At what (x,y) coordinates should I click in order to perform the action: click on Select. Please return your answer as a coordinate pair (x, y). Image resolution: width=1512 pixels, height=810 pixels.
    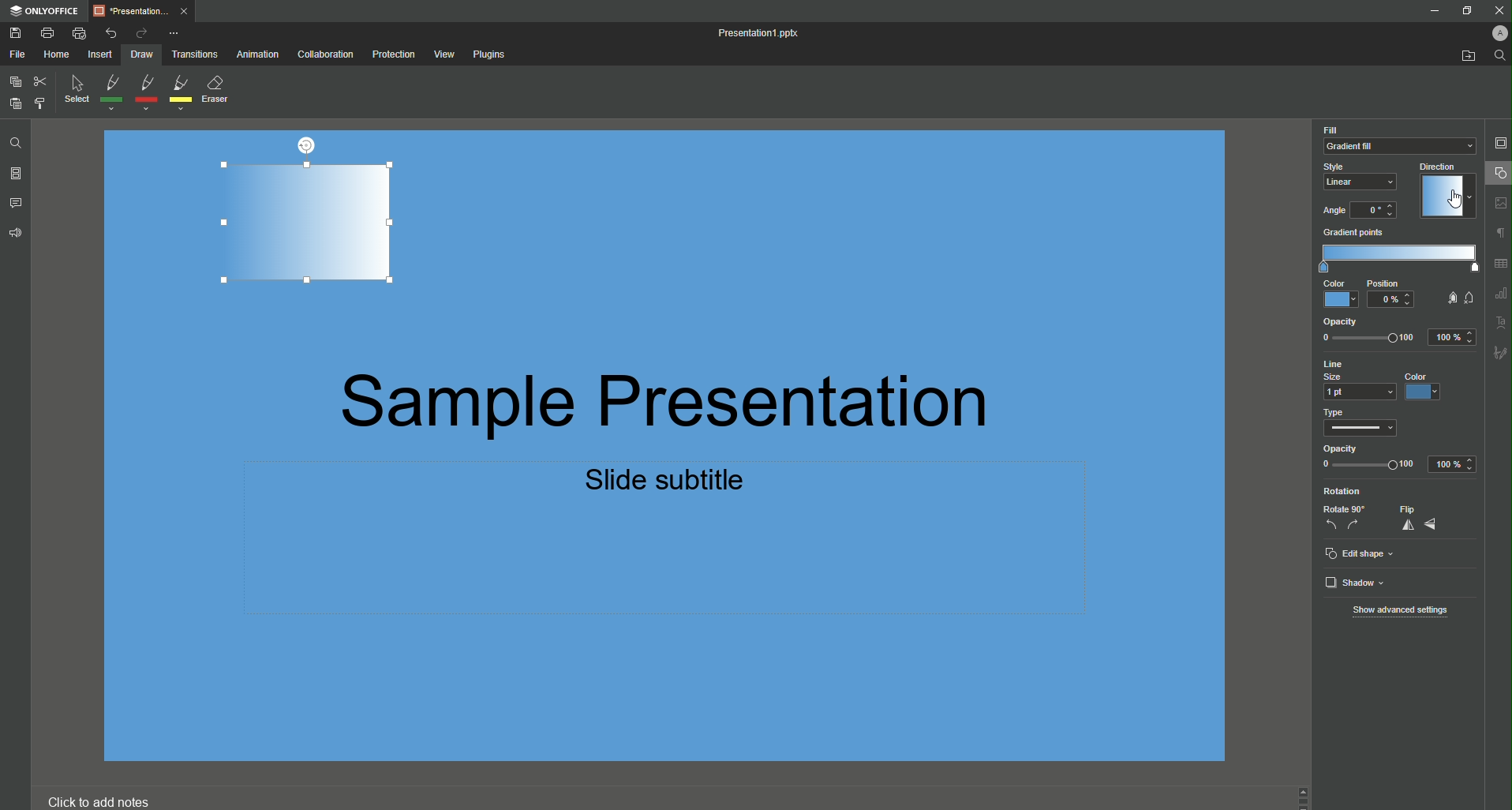
    Looking at the image, I should click on (75, 92).